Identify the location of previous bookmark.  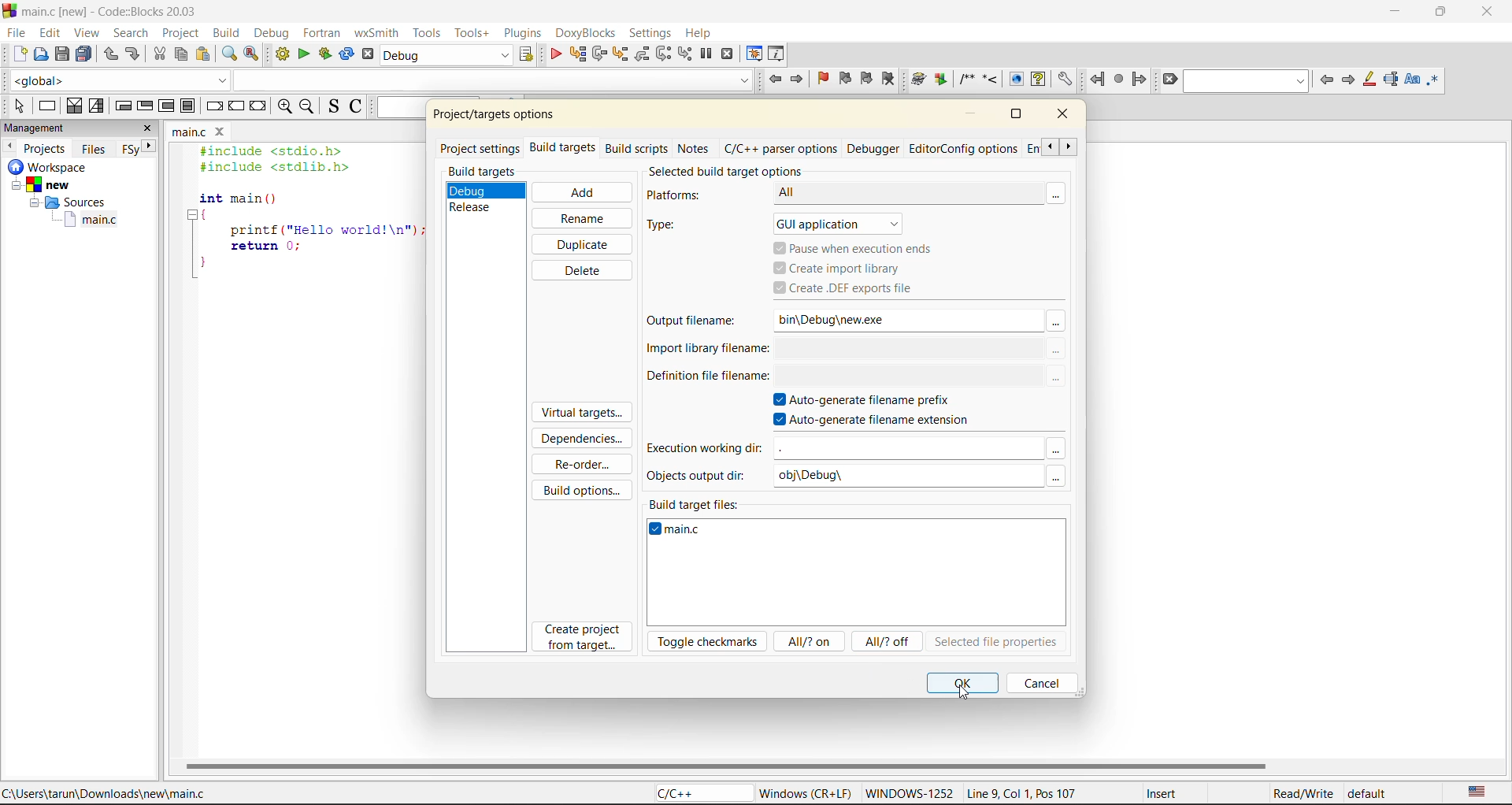
(846, 79).